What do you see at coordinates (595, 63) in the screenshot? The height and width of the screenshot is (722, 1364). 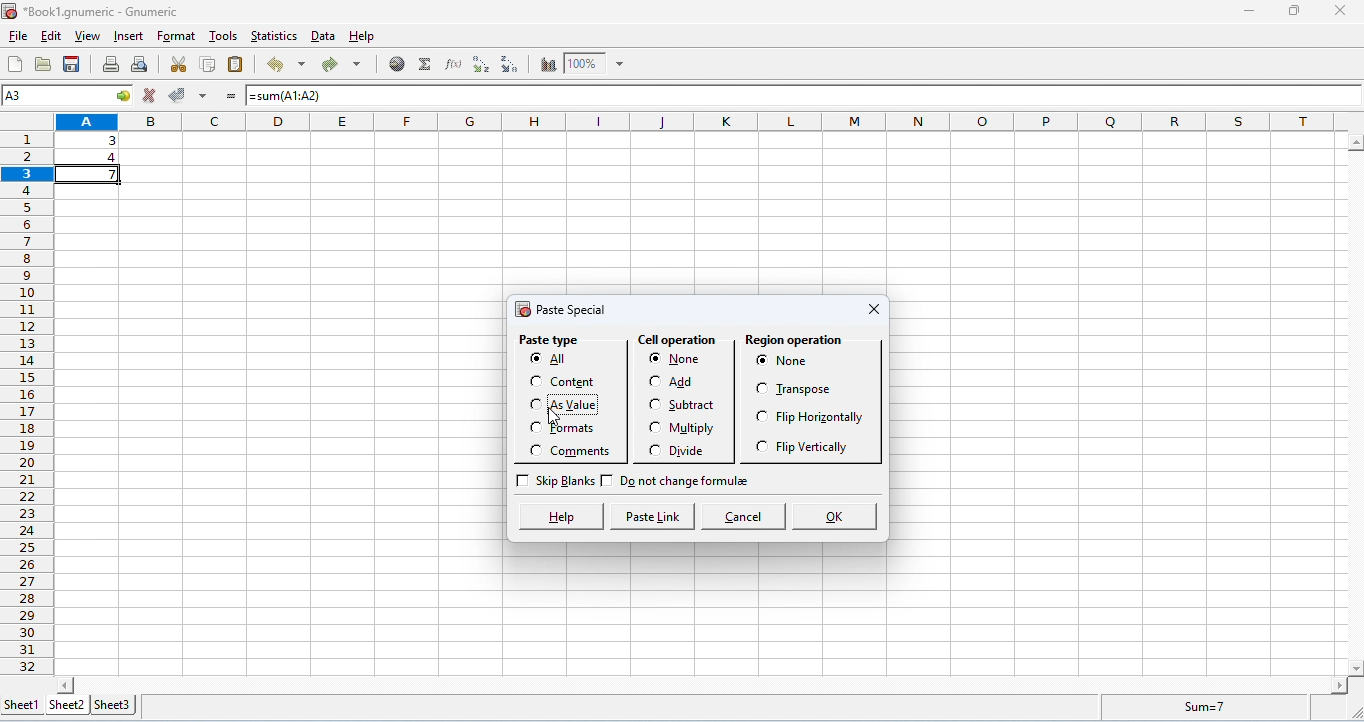 I see `zoom` at bounding box center [595, 63].